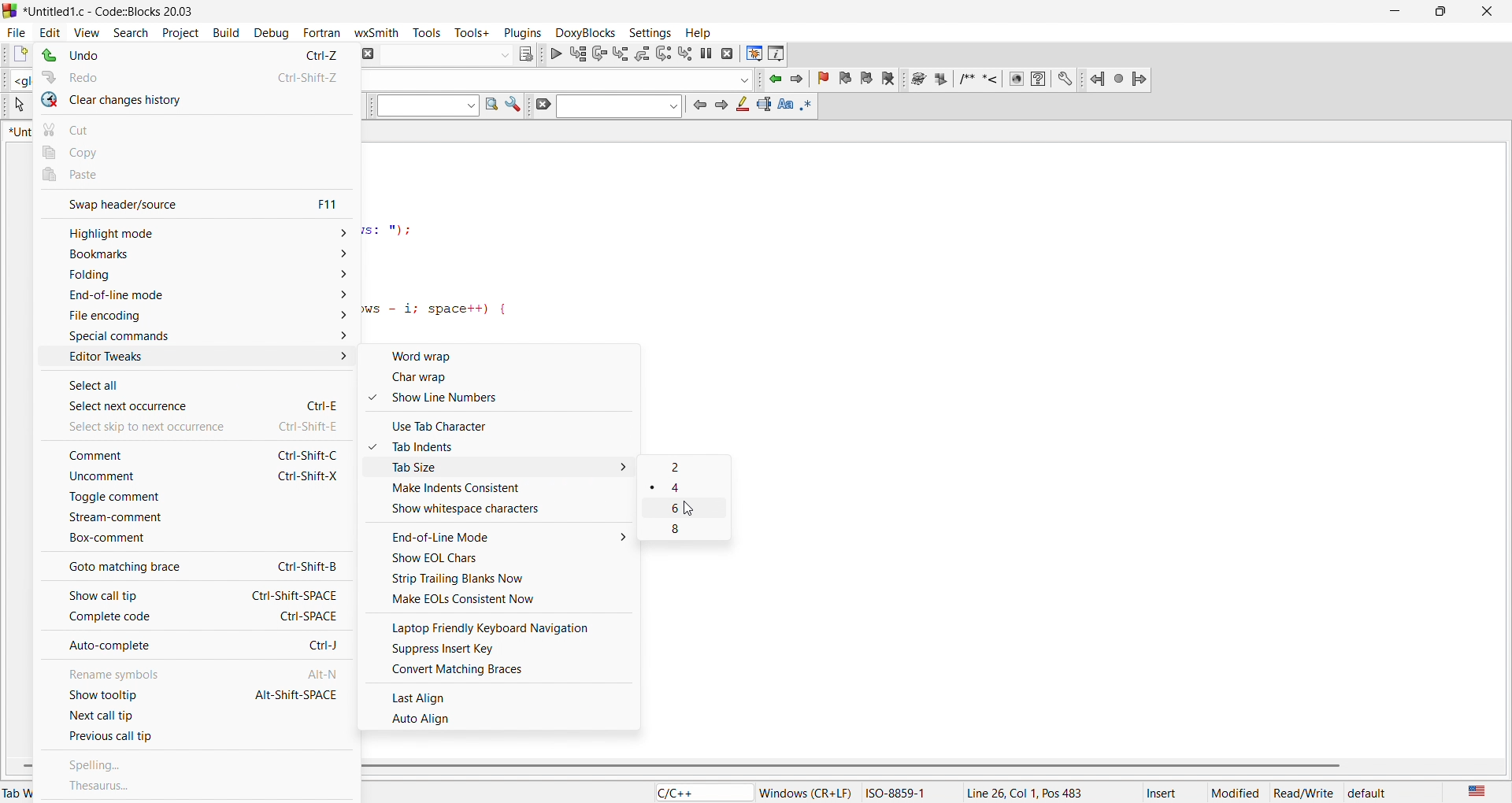 The width and height of the screenshot is (1512, 803). What do you see at coordinates (806, 791) in the screenshot?
I see `‘Windows (CR+LF) ` at bounding box center [806, 791].